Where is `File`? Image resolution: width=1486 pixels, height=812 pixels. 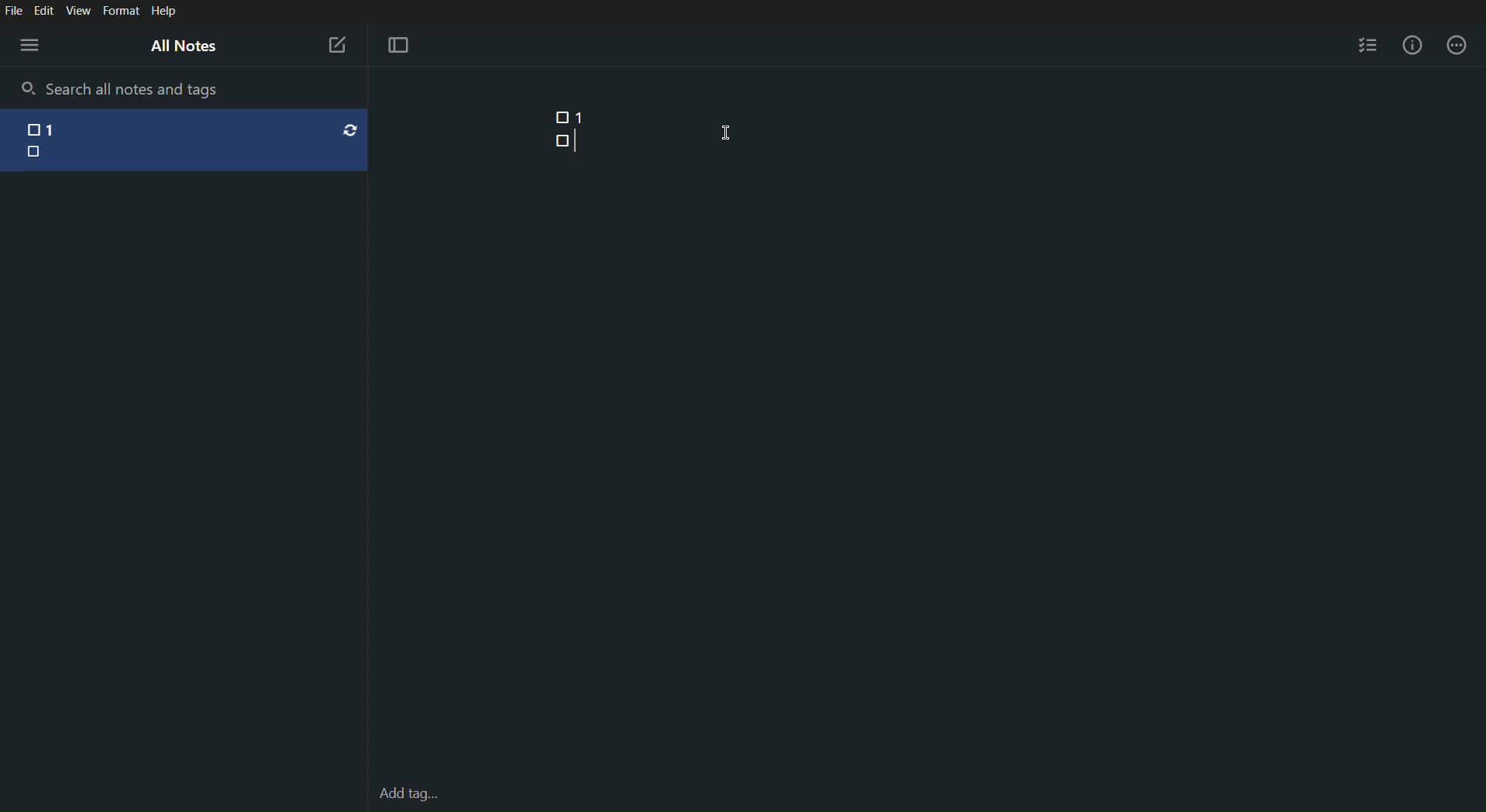
File is located at coordinates (13, 10).